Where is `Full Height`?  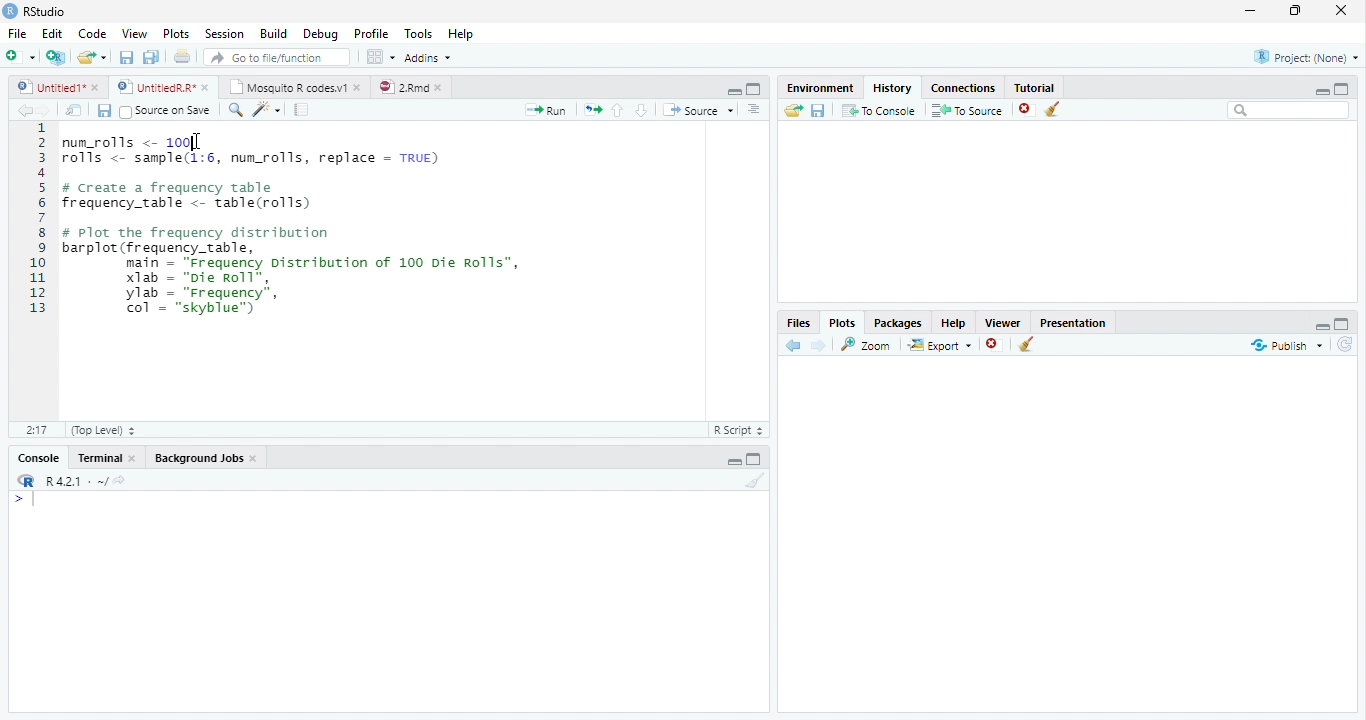 Full Height is located at coordinates (1344, 89).